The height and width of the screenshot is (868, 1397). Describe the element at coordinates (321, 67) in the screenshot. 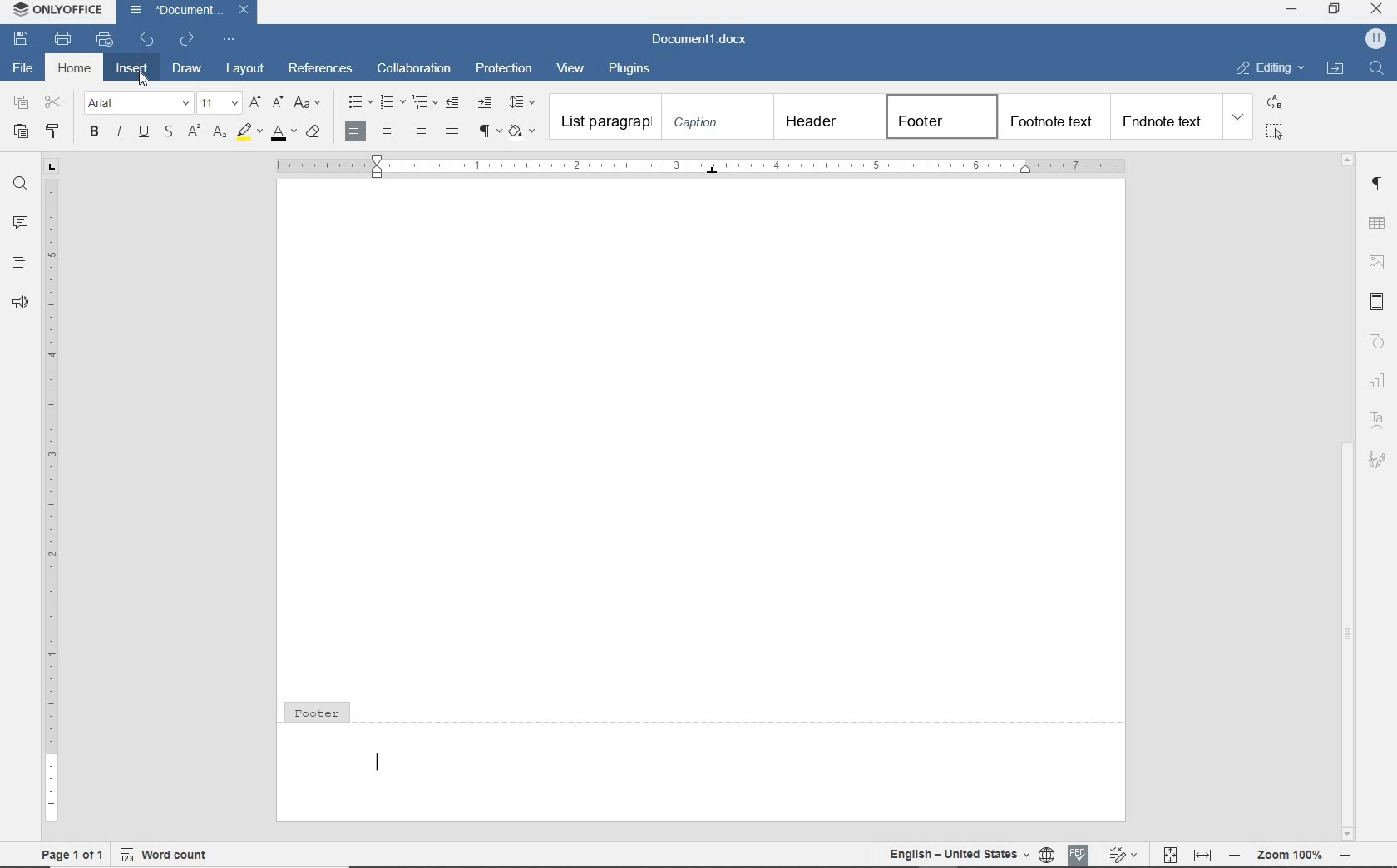

I see `references` at that location.